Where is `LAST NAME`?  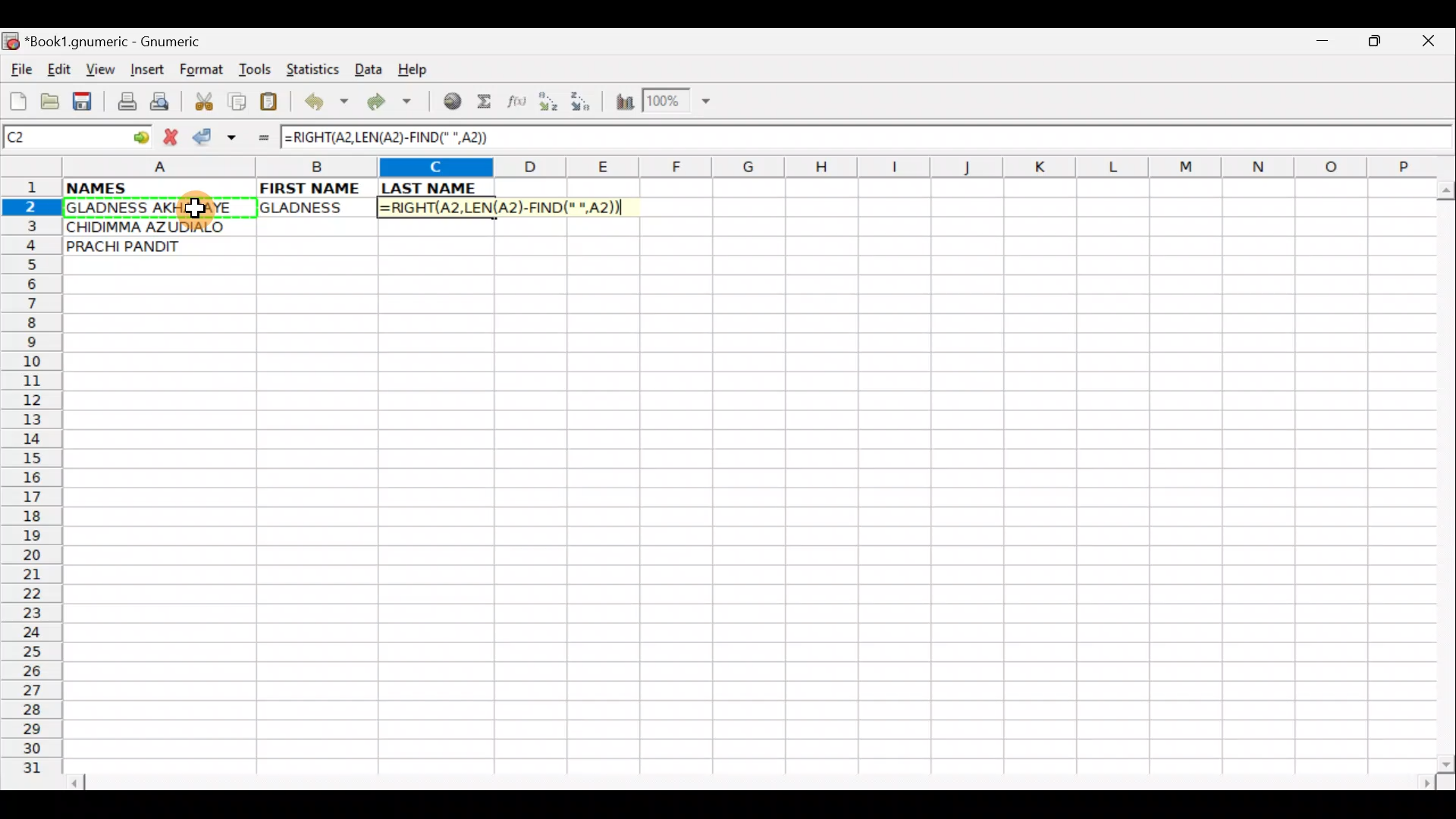 LAST NAME is located at coordinates (437, 188).